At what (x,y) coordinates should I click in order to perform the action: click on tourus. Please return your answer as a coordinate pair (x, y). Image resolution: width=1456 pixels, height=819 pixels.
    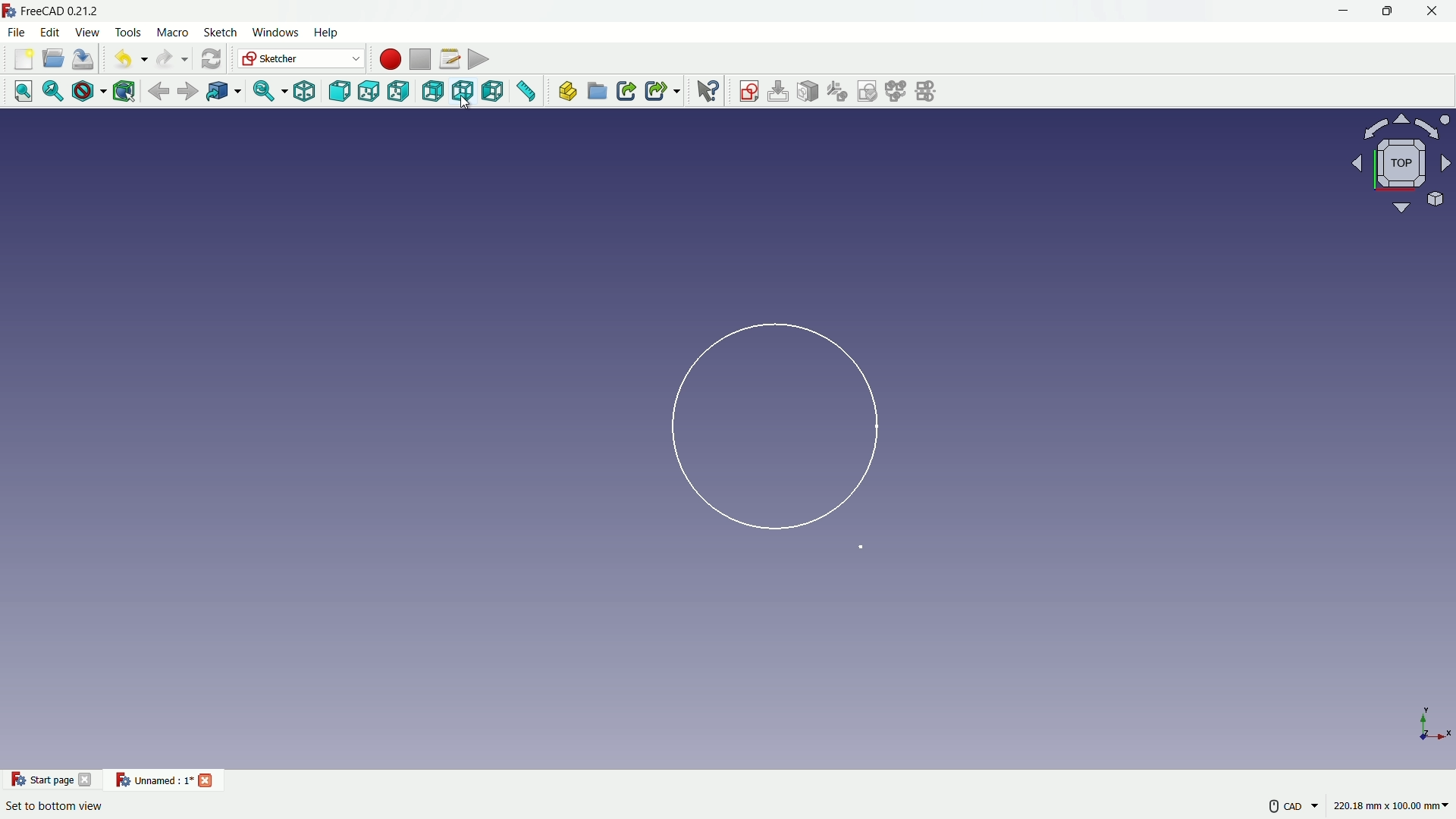
    Looking at the image, I should click on (1429, 727).